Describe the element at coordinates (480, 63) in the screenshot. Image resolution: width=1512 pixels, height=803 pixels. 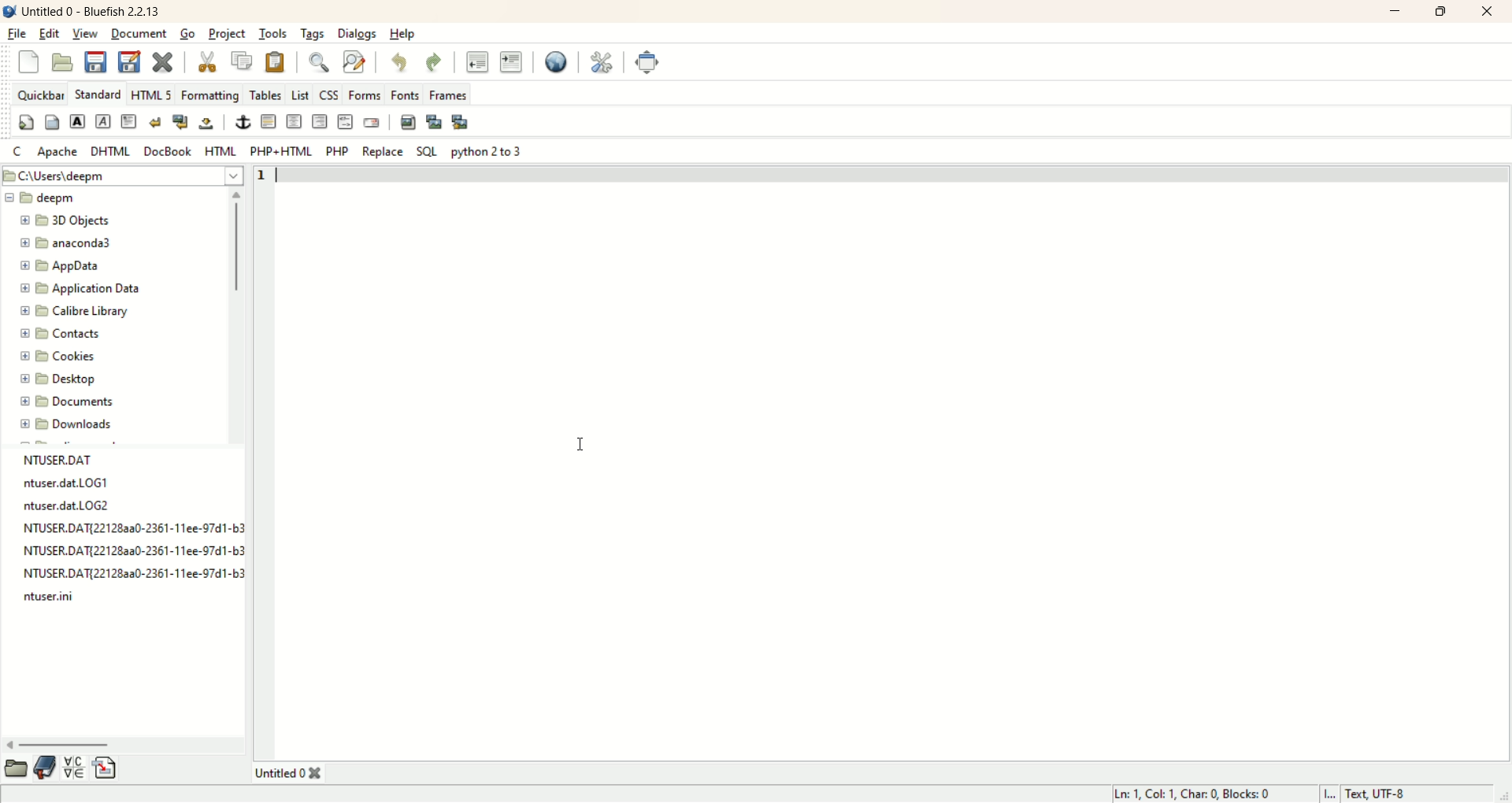
I see `unindent` at that location.